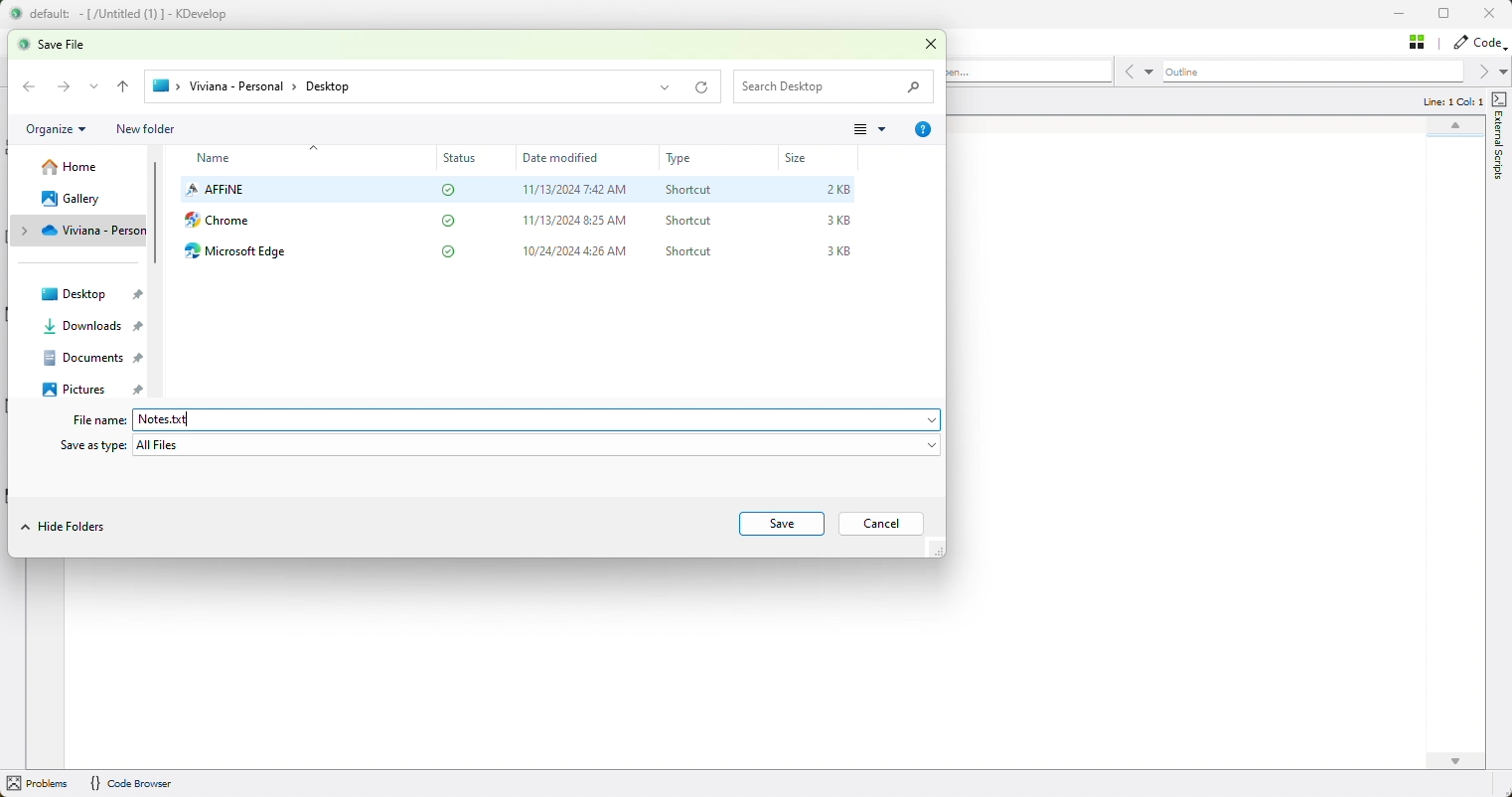 Image resolution: width=1512 pixels, height=797 pixels. Describe the element at coordinates (936, 45) in the screenshot. I see `close` at that location.